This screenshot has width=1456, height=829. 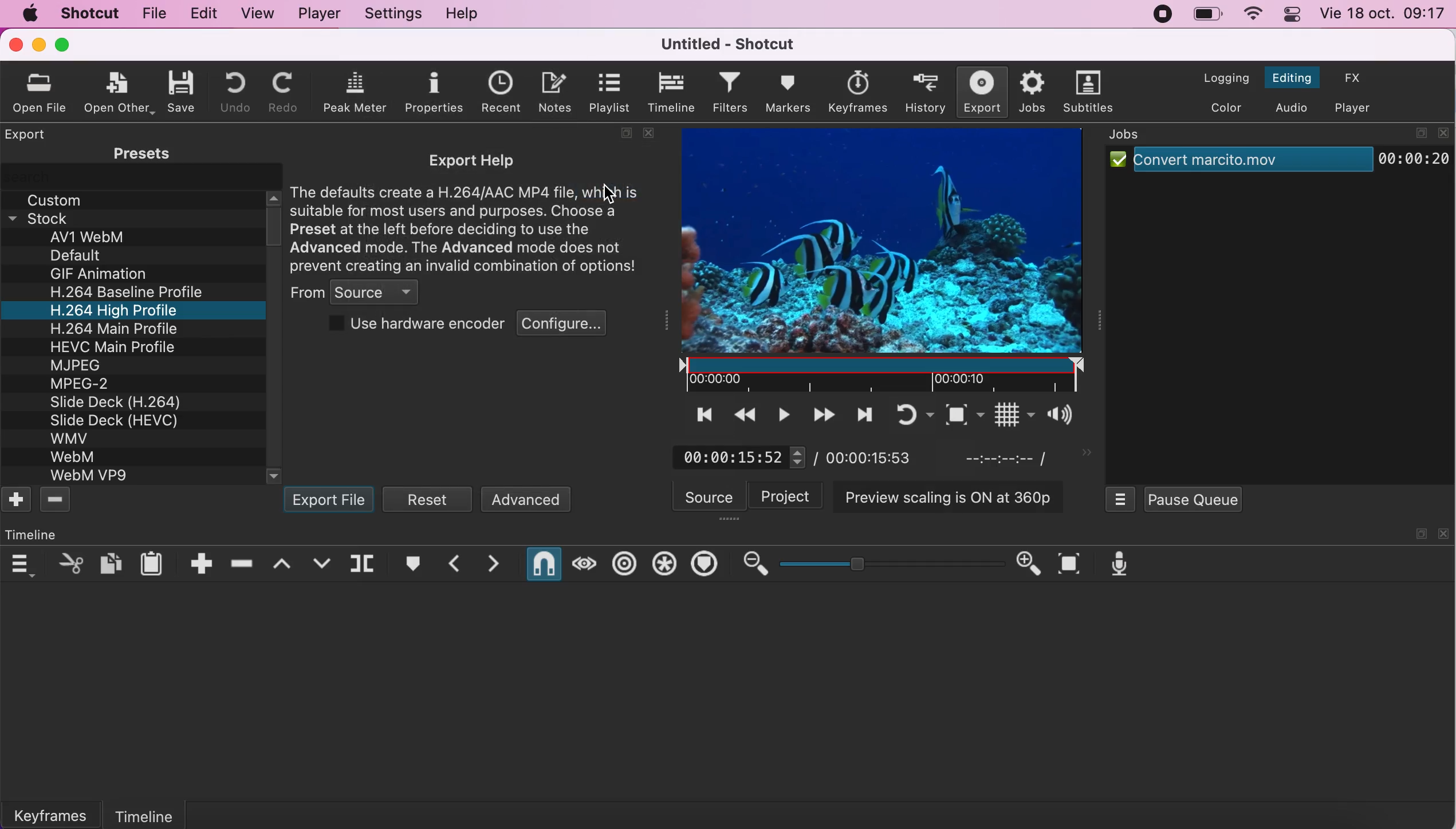 I want to click on MJPEG, so click(x=80, y=364).